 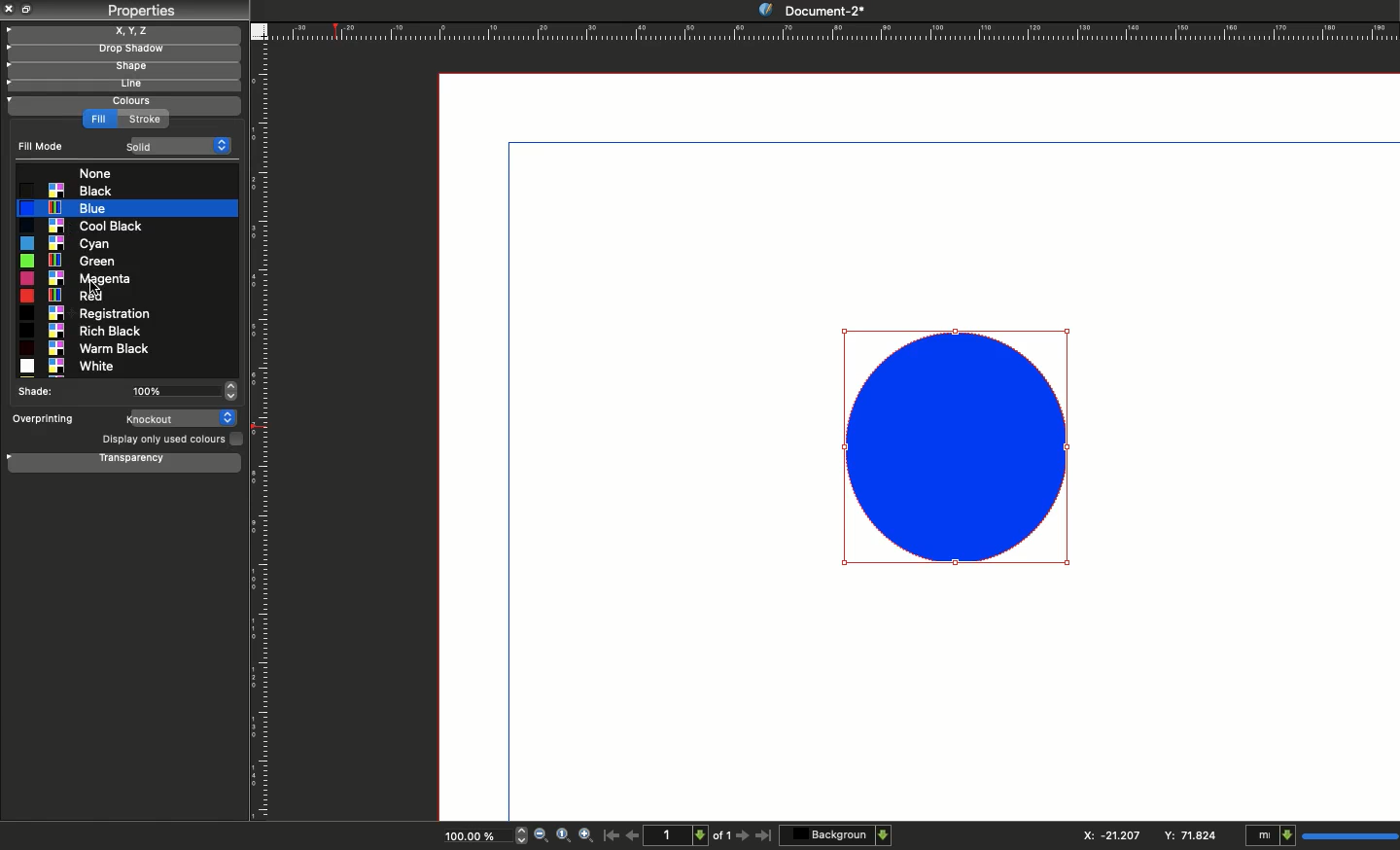 What do you see at coordinates (67, 243) in the screenshot?
I see `Cyan` at bounding box center [67, 243].